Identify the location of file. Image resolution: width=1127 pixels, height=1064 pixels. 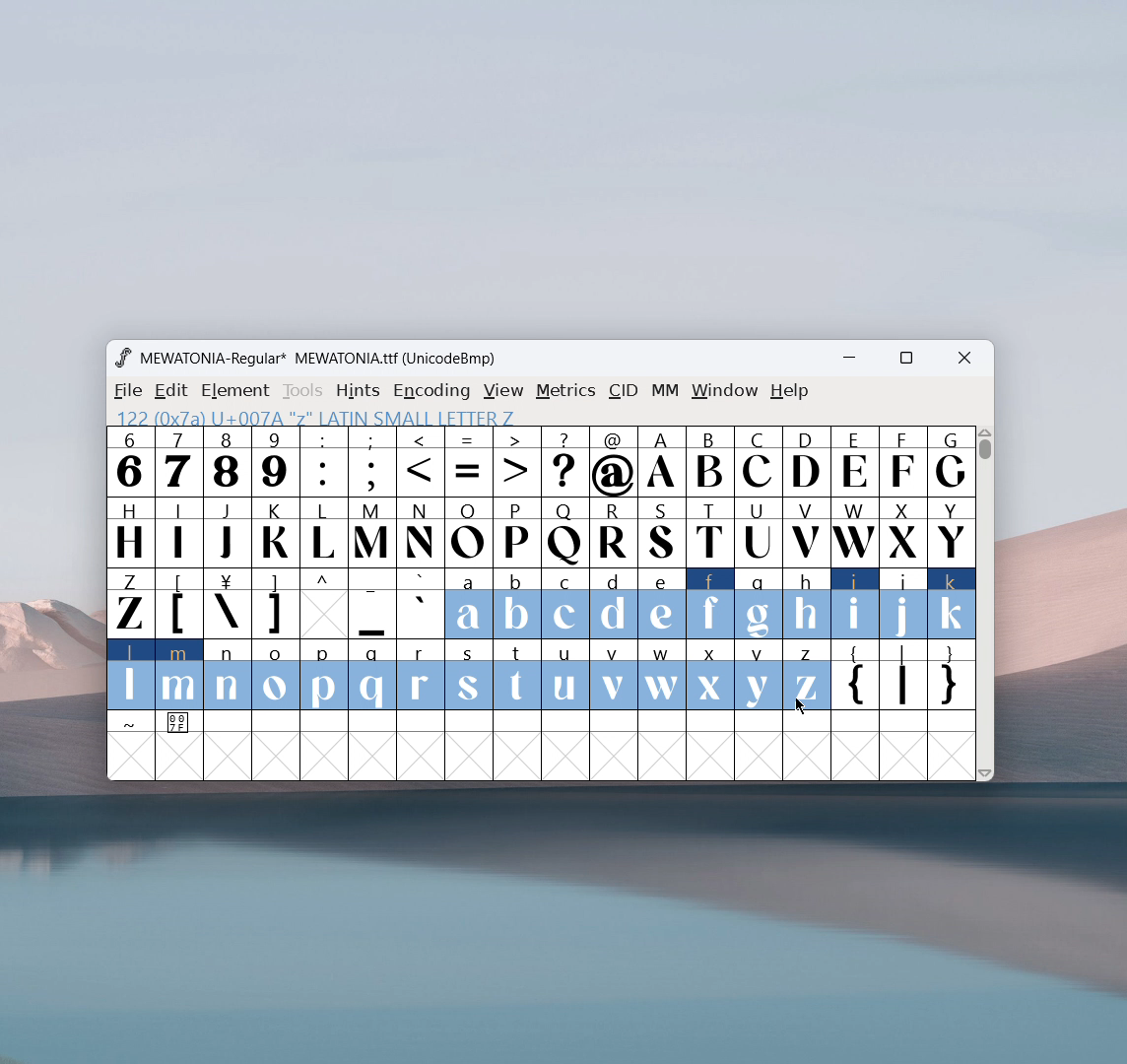
(125, 391).